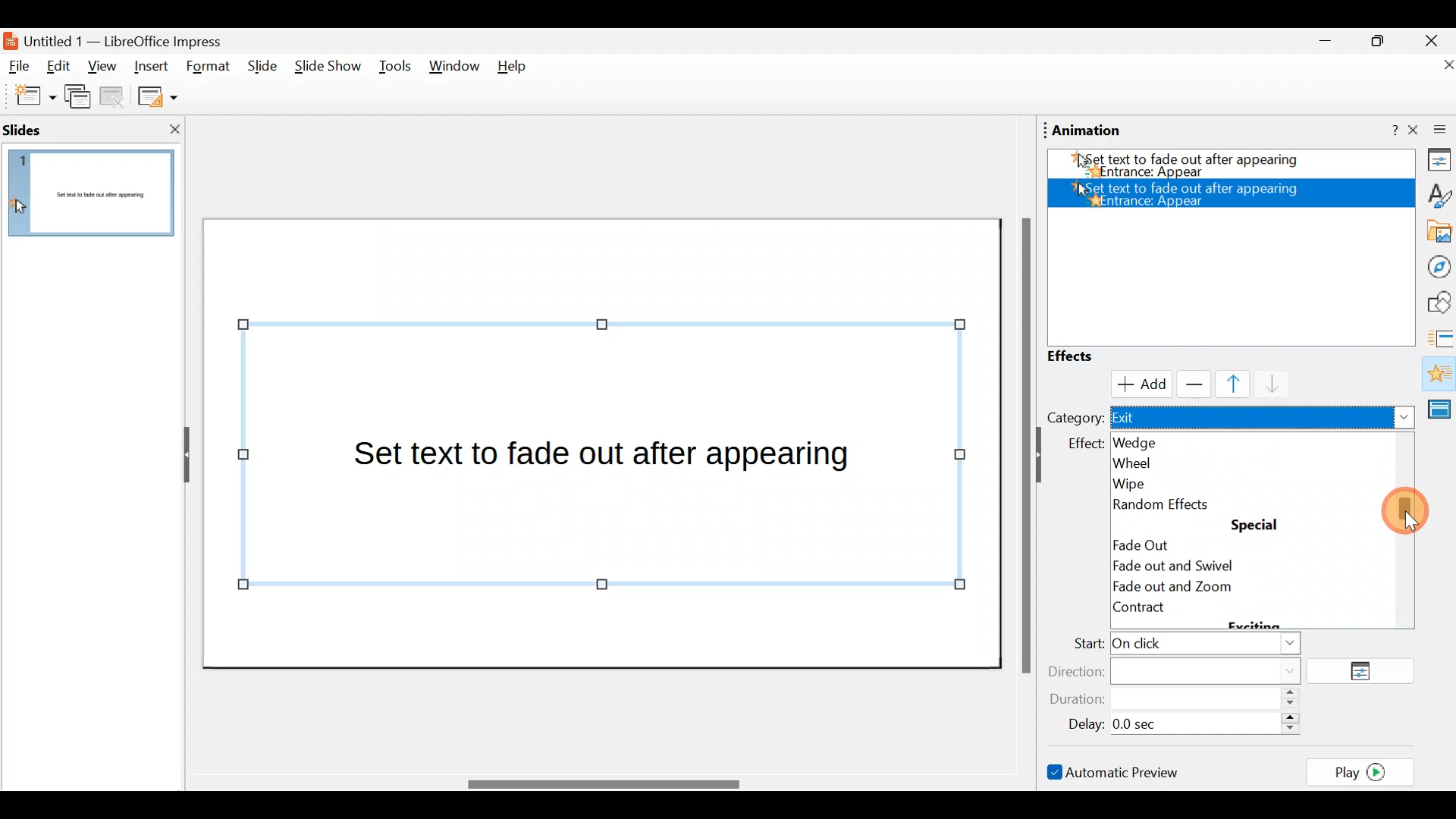 The image size is (1456, 819). I want to click on Start, so click(1182, 645).